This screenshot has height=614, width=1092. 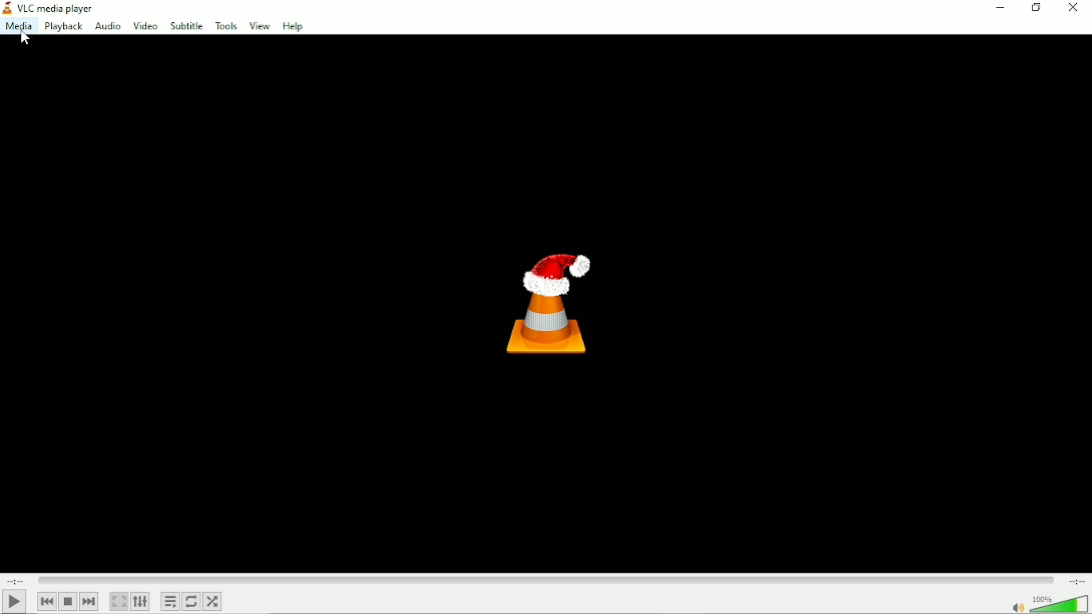 What do you see at coordinates (145, 25) in the screenshot?
I see `Video` at bounding box center [145, 25].